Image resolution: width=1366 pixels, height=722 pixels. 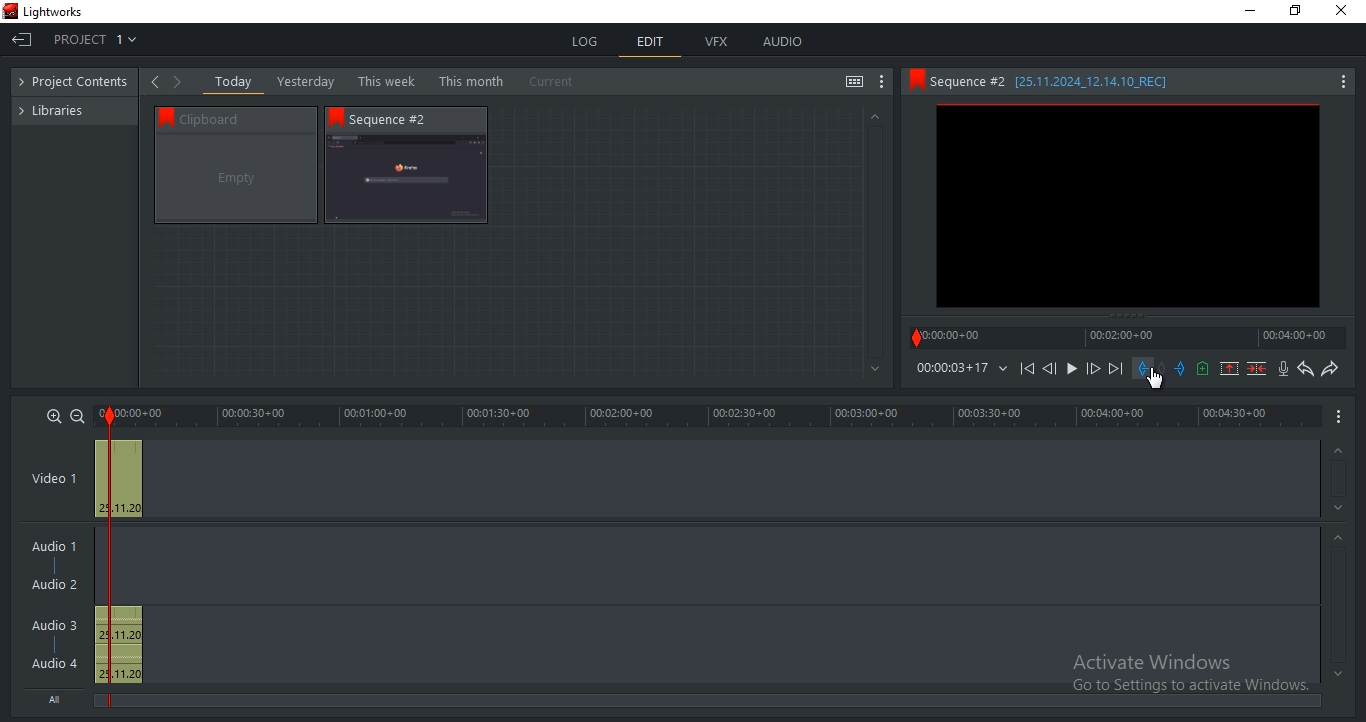 I want to click on timeline, so click(x=1128, y=337).